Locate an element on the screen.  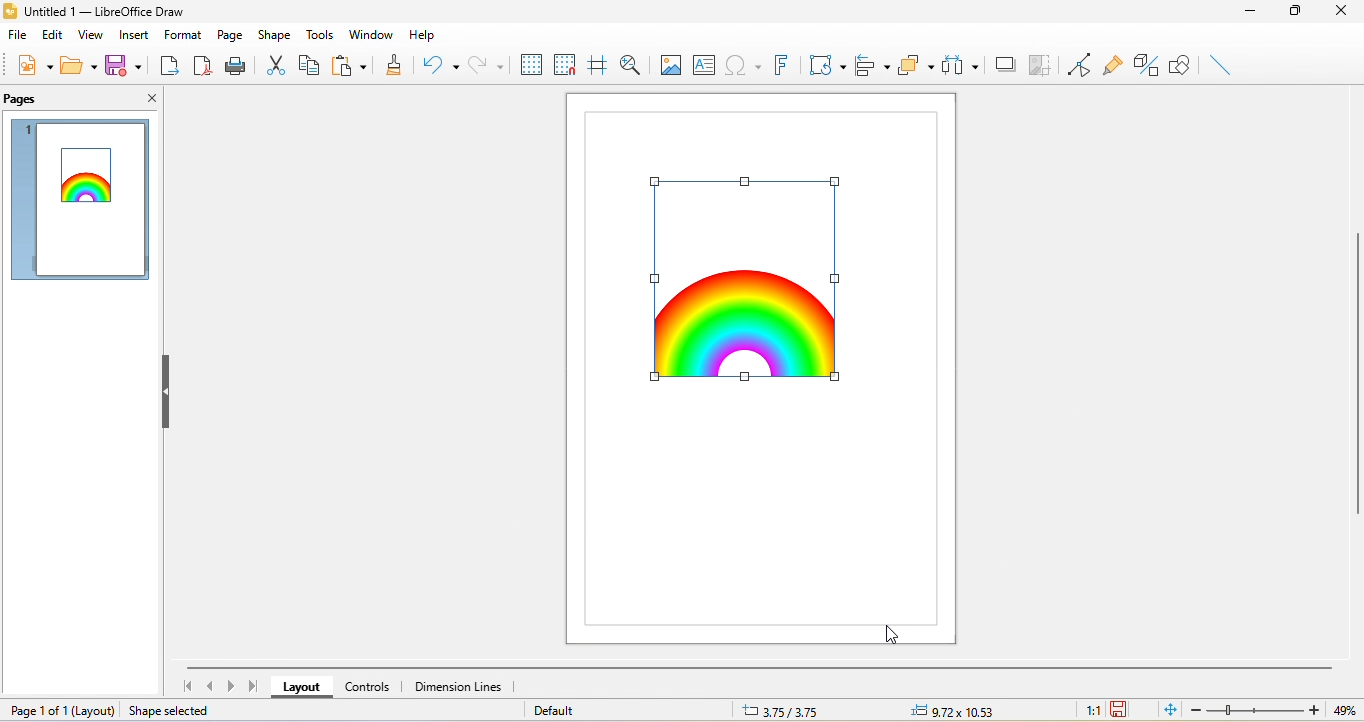
cursor is located at coordinates (894, 634).